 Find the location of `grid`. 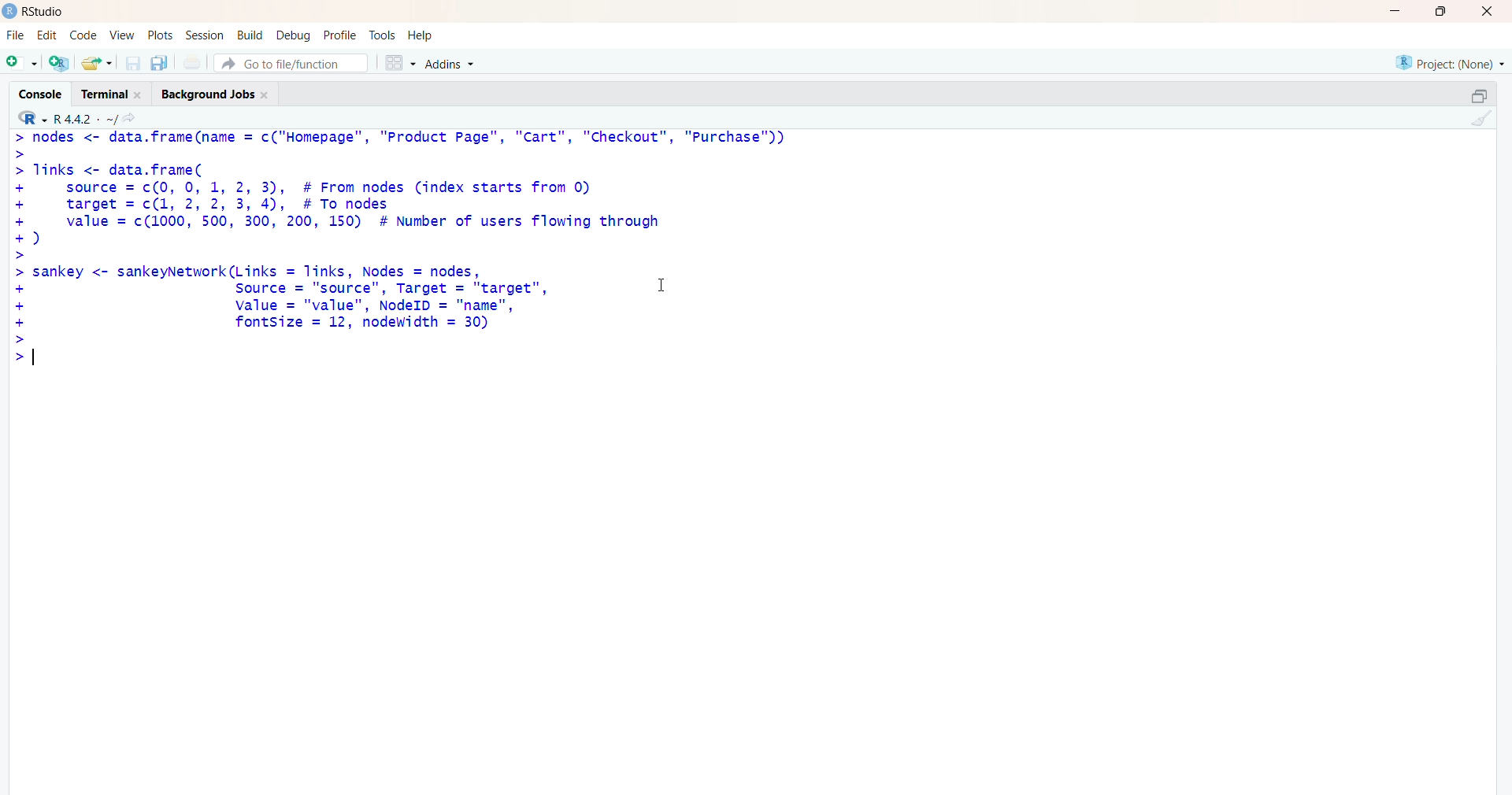

grid is located at coordinates (396, 64).